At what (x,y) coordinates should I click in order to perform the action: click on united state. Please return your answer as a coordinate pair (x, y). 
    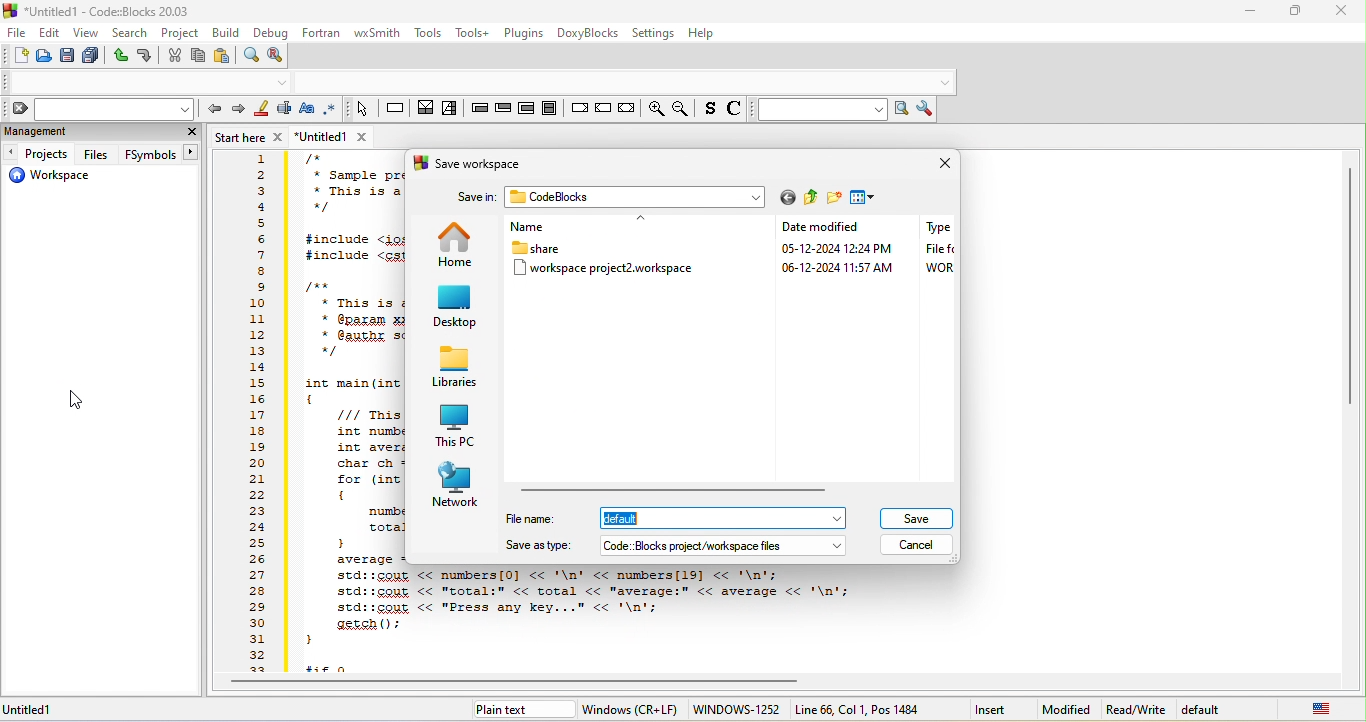
    Looking at the image, I should click on (1323, 711).